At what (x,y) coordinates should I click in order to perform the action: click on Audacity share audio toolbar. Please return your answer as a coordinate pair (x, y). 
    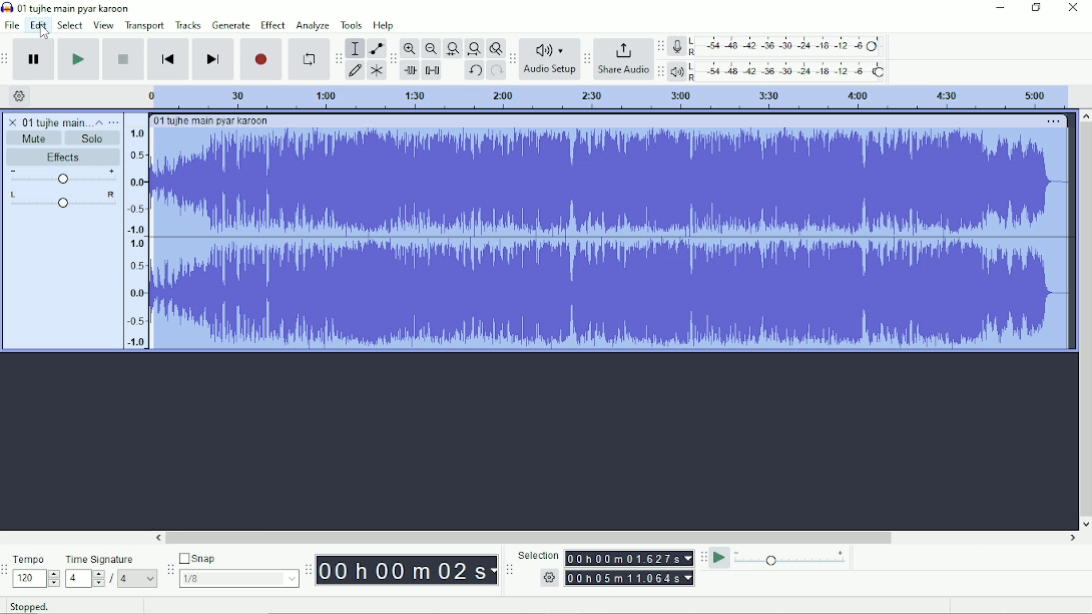
    Looking at the image, I should click on (587, 58).